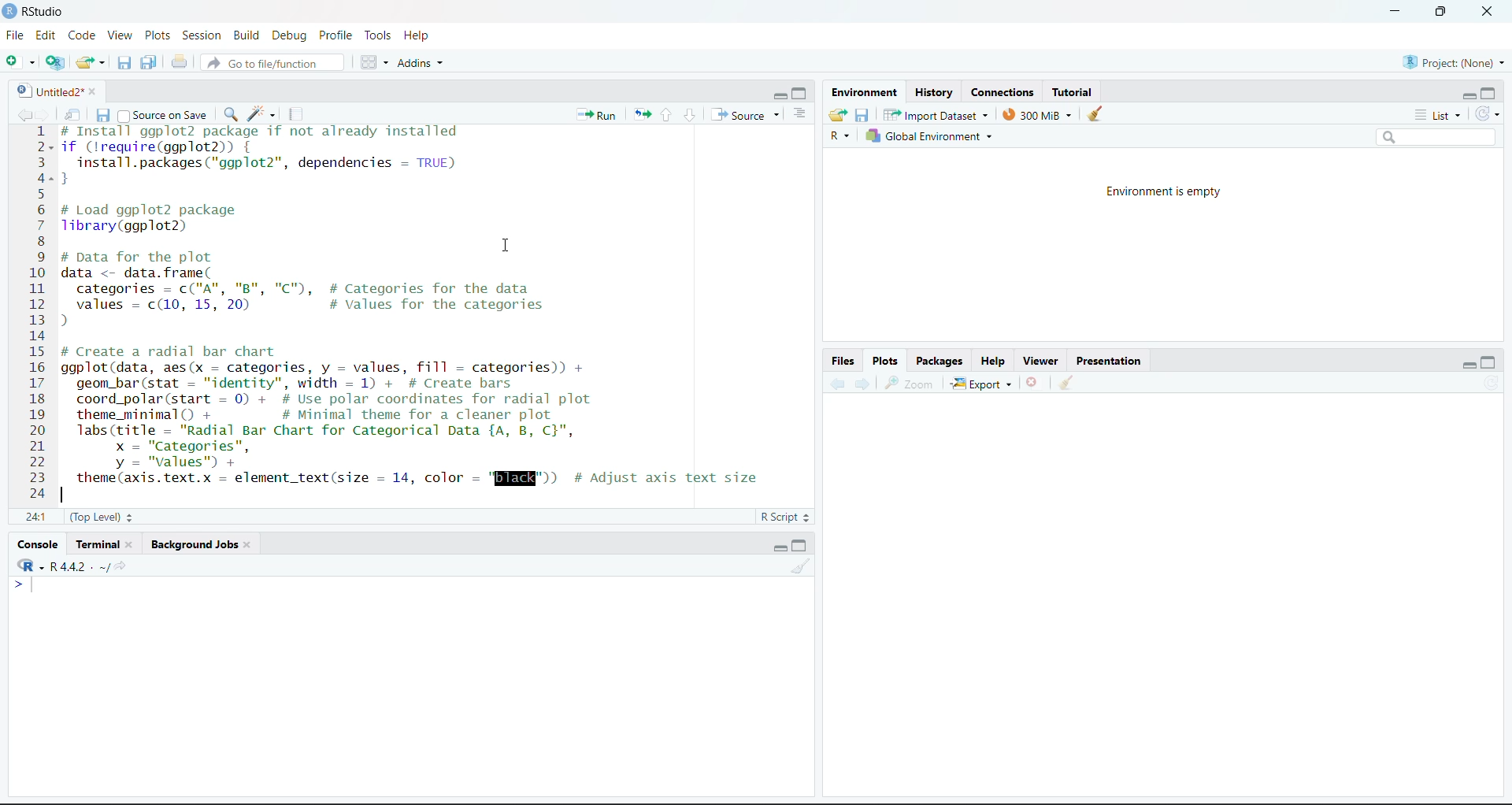 This screenshot has width=1512, height=805. Describe the element at coordinates (913, 383) in the screenshot. I see `zoom` at that location.